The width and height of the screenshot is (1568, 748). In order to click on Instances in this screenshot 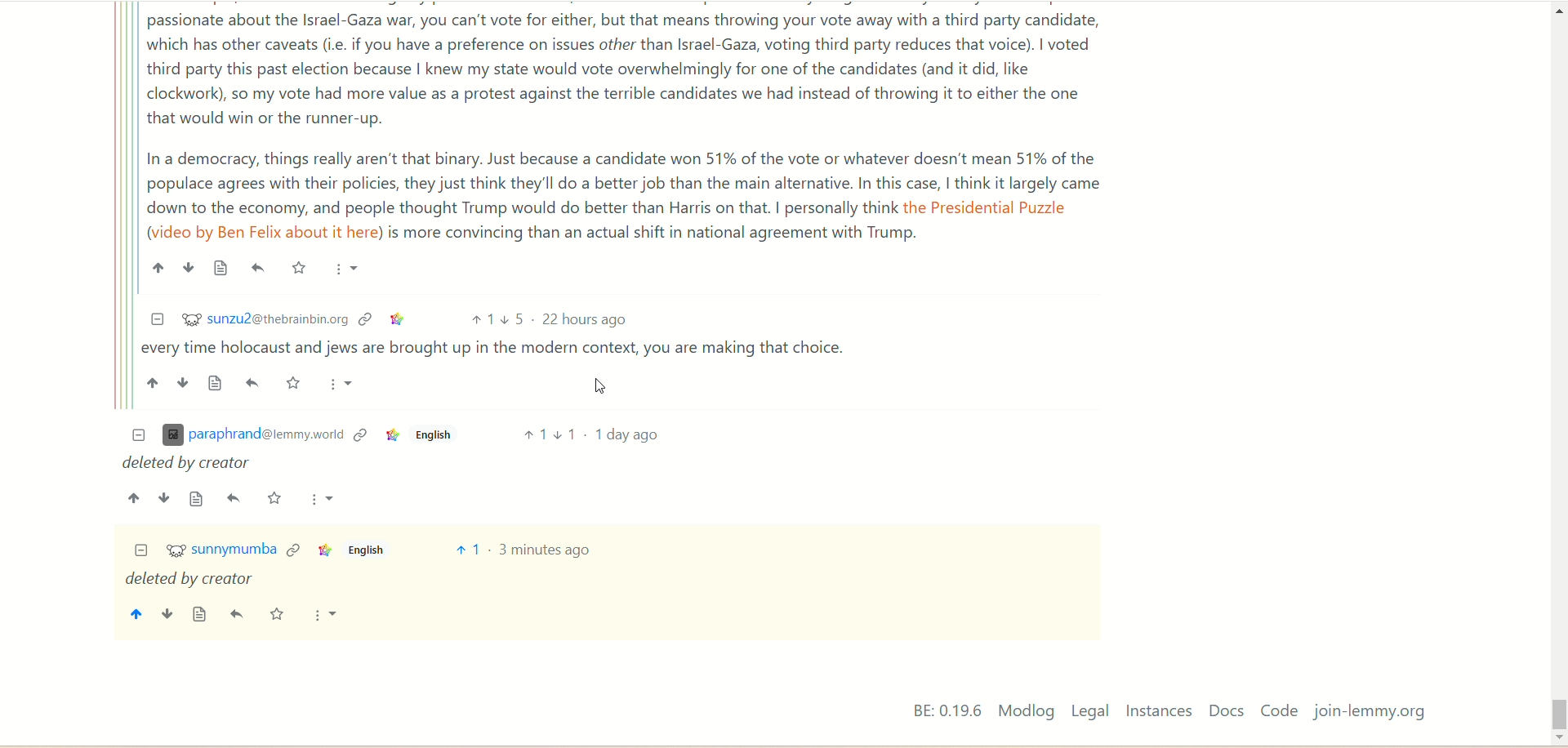, I will do `click(1159, 711)`.